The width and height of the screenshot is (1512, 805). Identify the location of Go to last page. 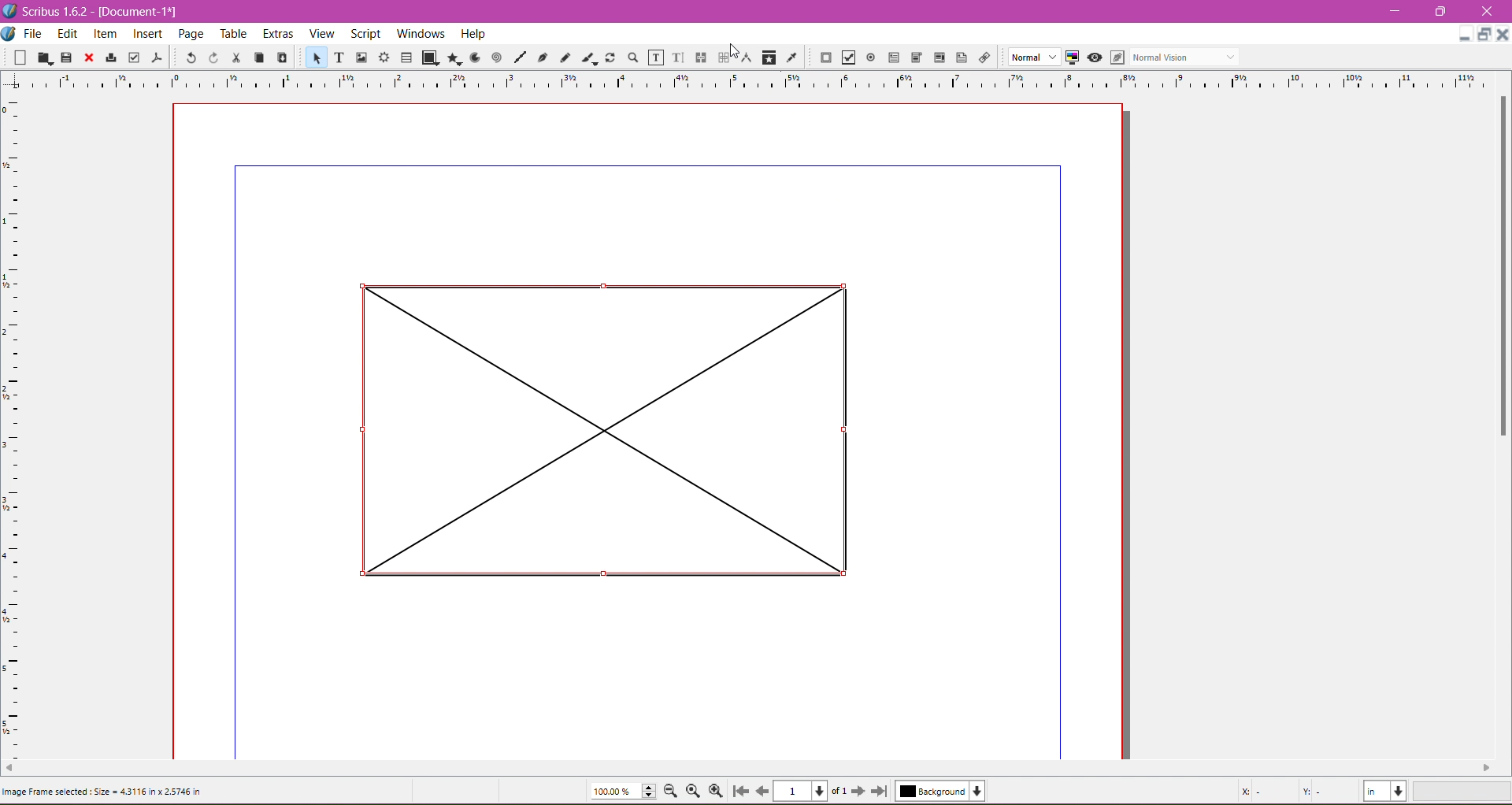
(880, 791).